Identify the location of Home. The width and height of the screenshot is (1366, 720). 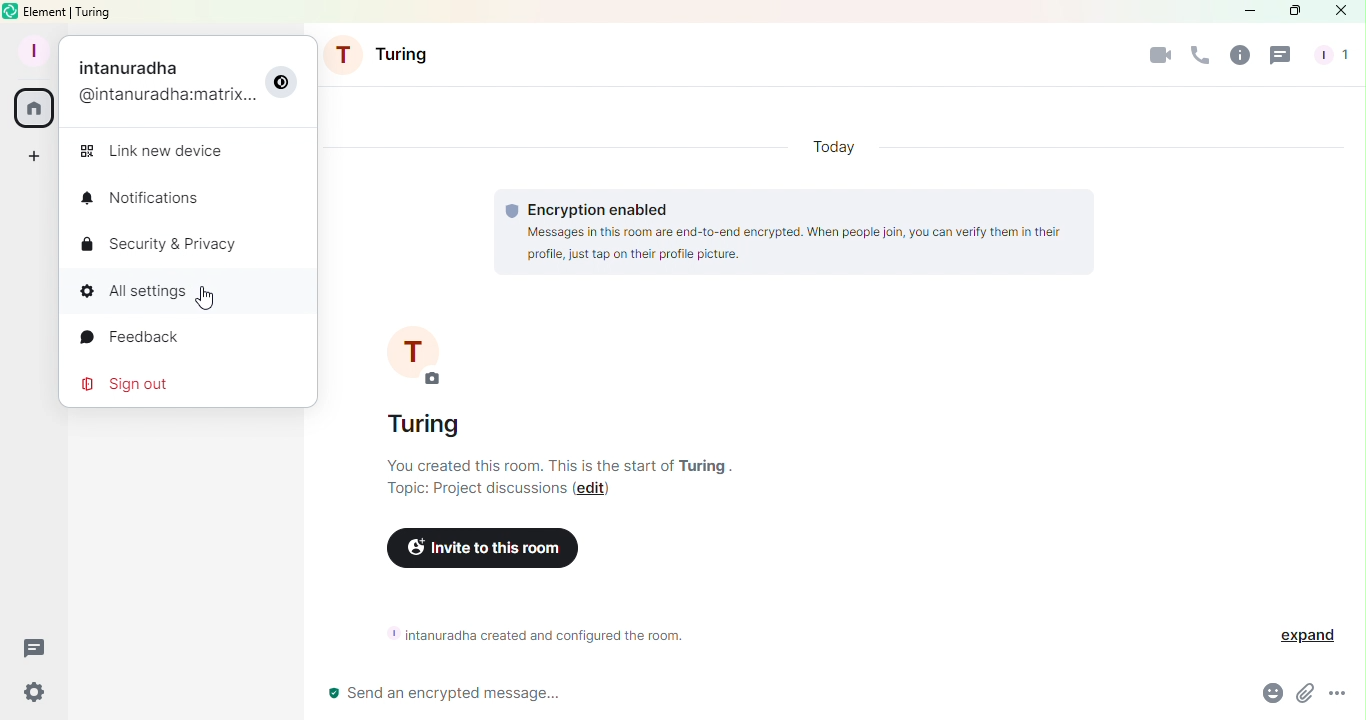
(35, 110).